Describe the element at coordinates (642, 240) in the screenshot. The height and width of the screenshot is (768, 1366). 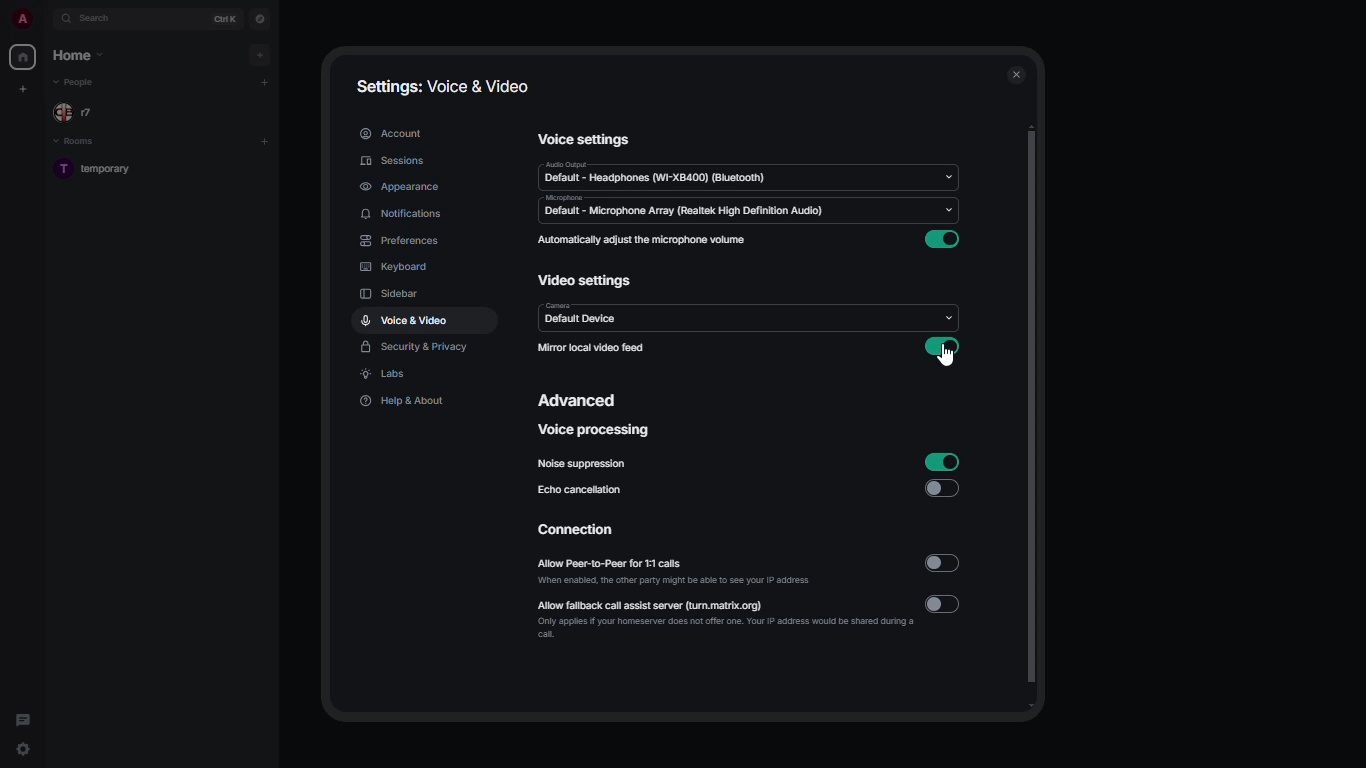
I see `automatically adjust the microphone volume` at that location.